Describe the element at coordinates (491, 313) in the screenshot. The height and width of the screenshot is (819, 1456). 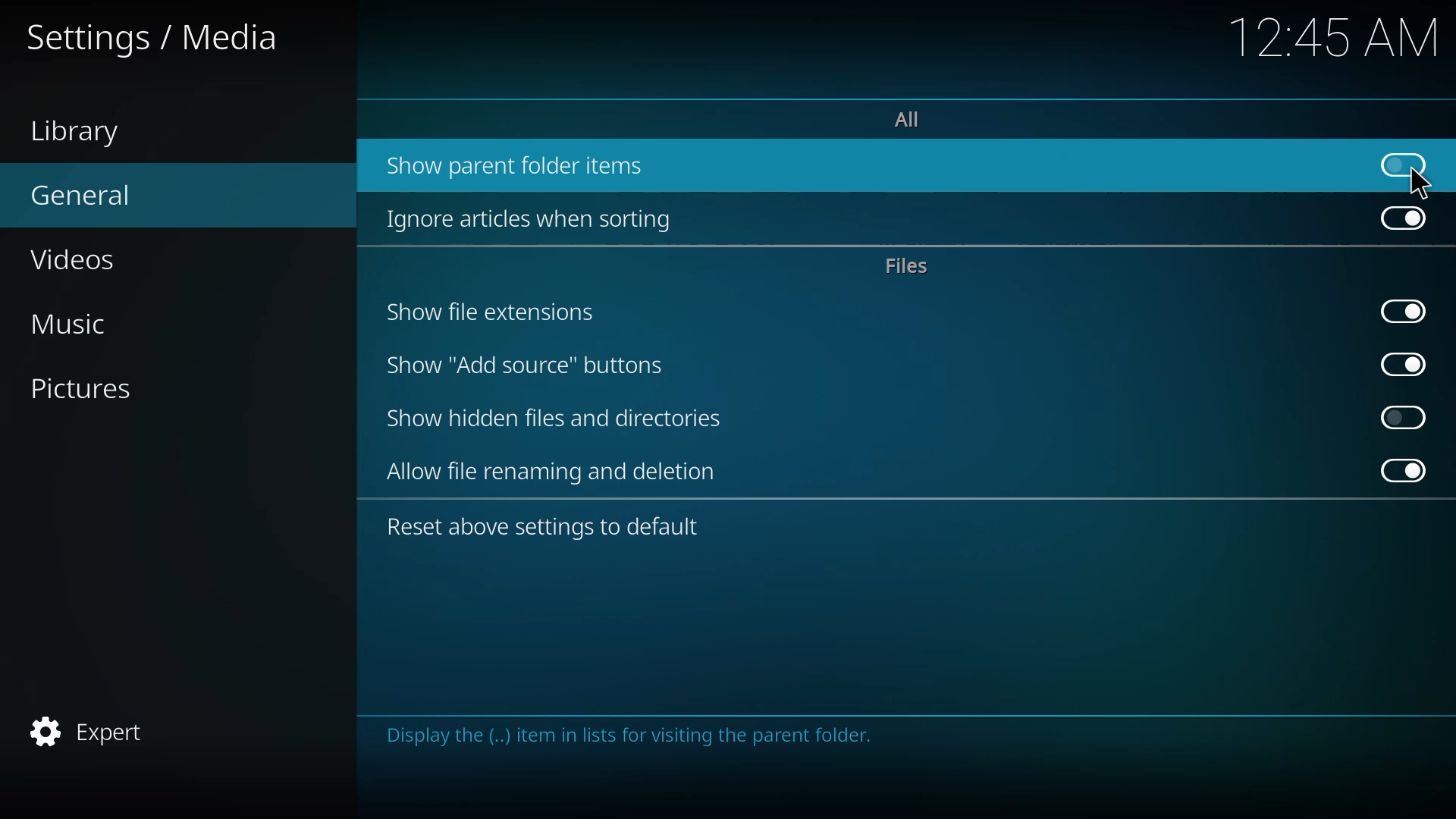
I see `show file extensions` at that location.